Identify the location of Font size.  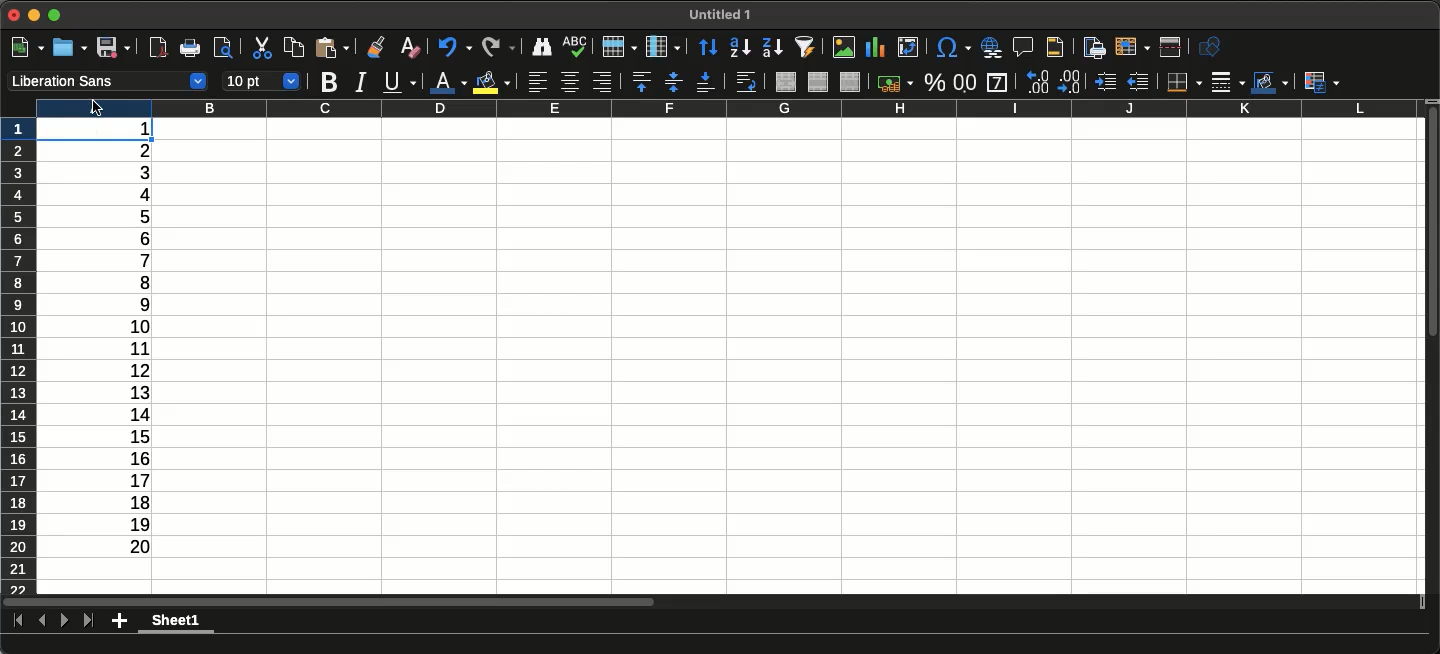
(261, 82).